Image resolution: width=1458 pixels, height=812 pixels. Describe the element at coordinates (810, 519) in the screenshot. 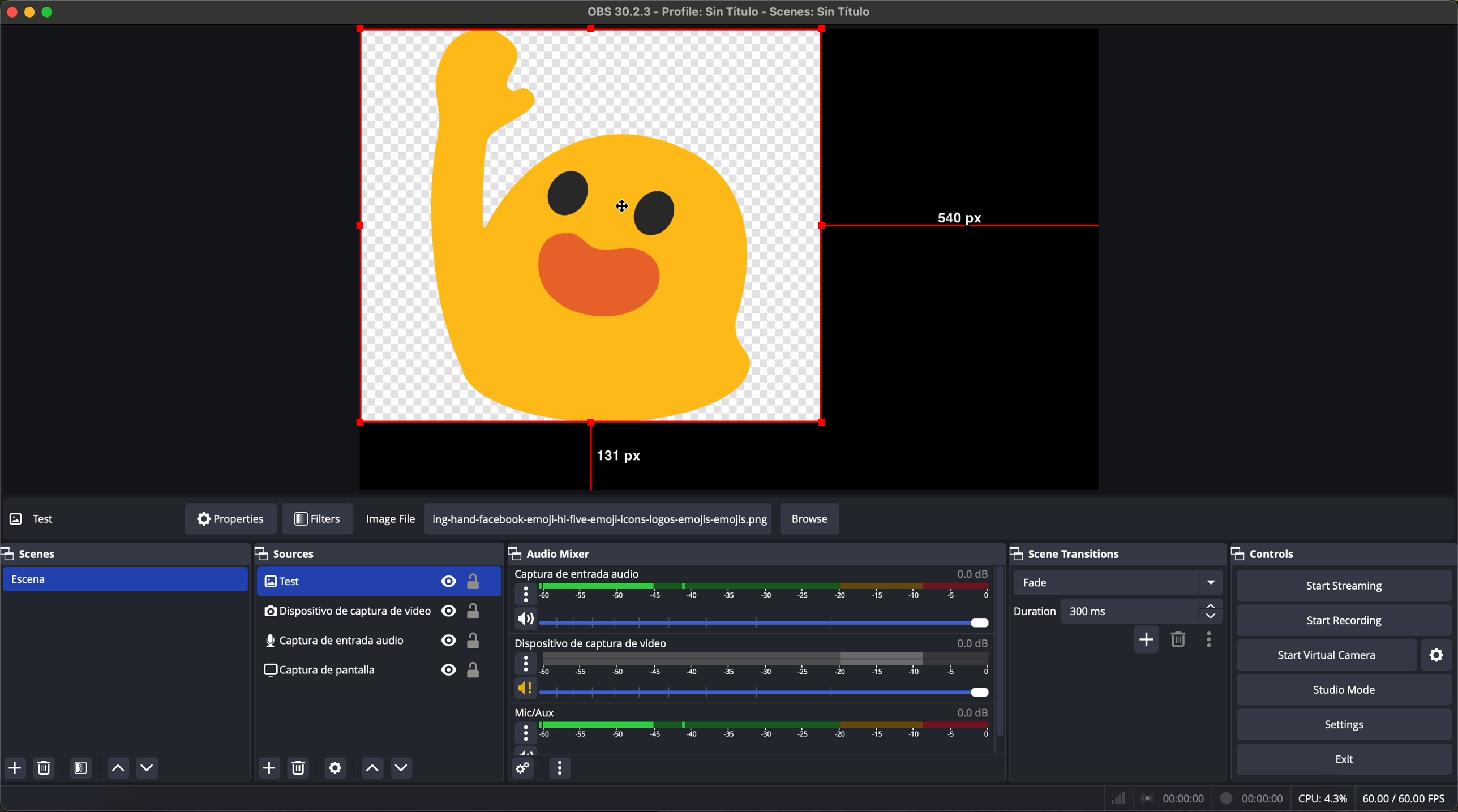

I see `browse` at that location.